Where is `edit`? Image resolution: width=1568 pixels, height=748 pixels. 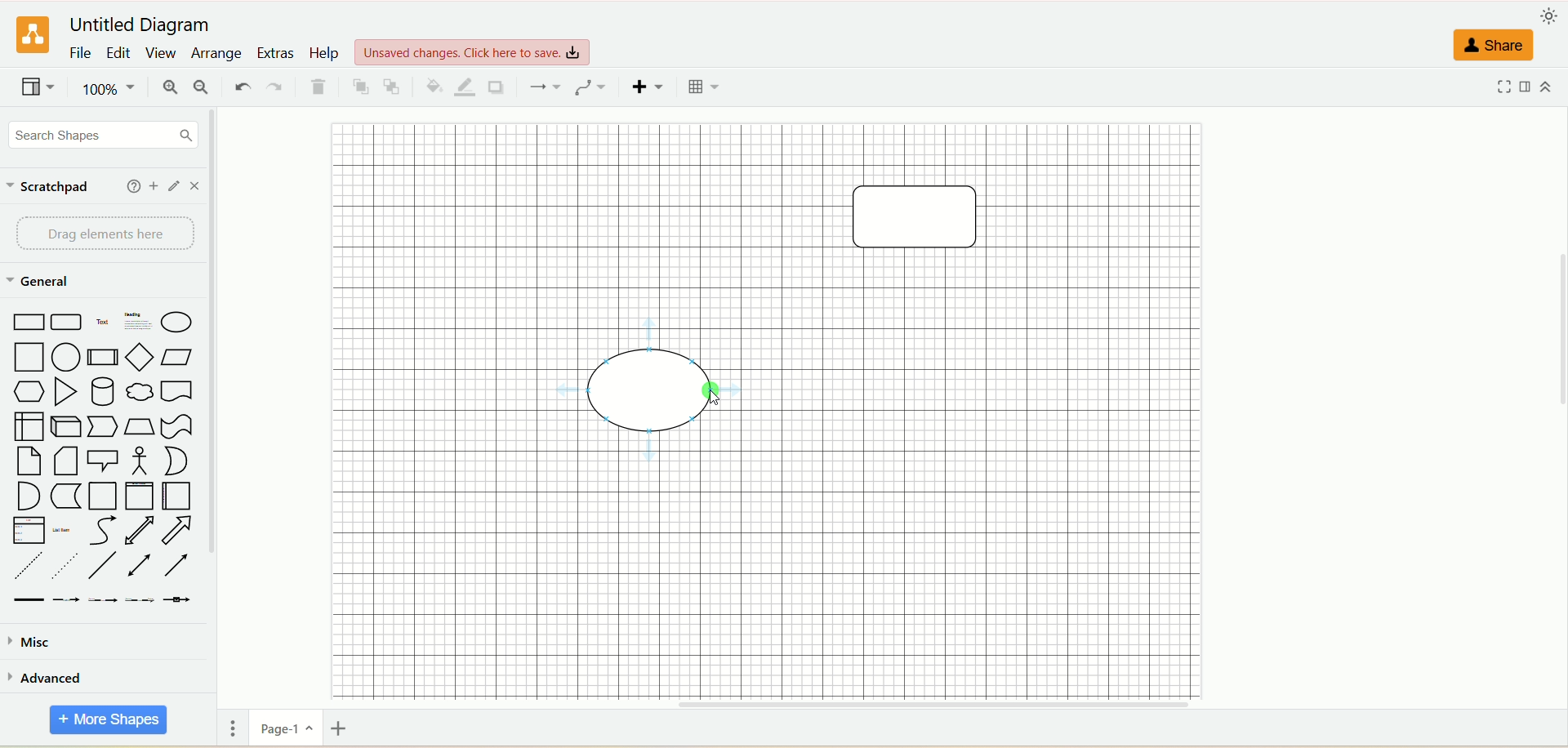 edit is located at coordinates (120, 55).